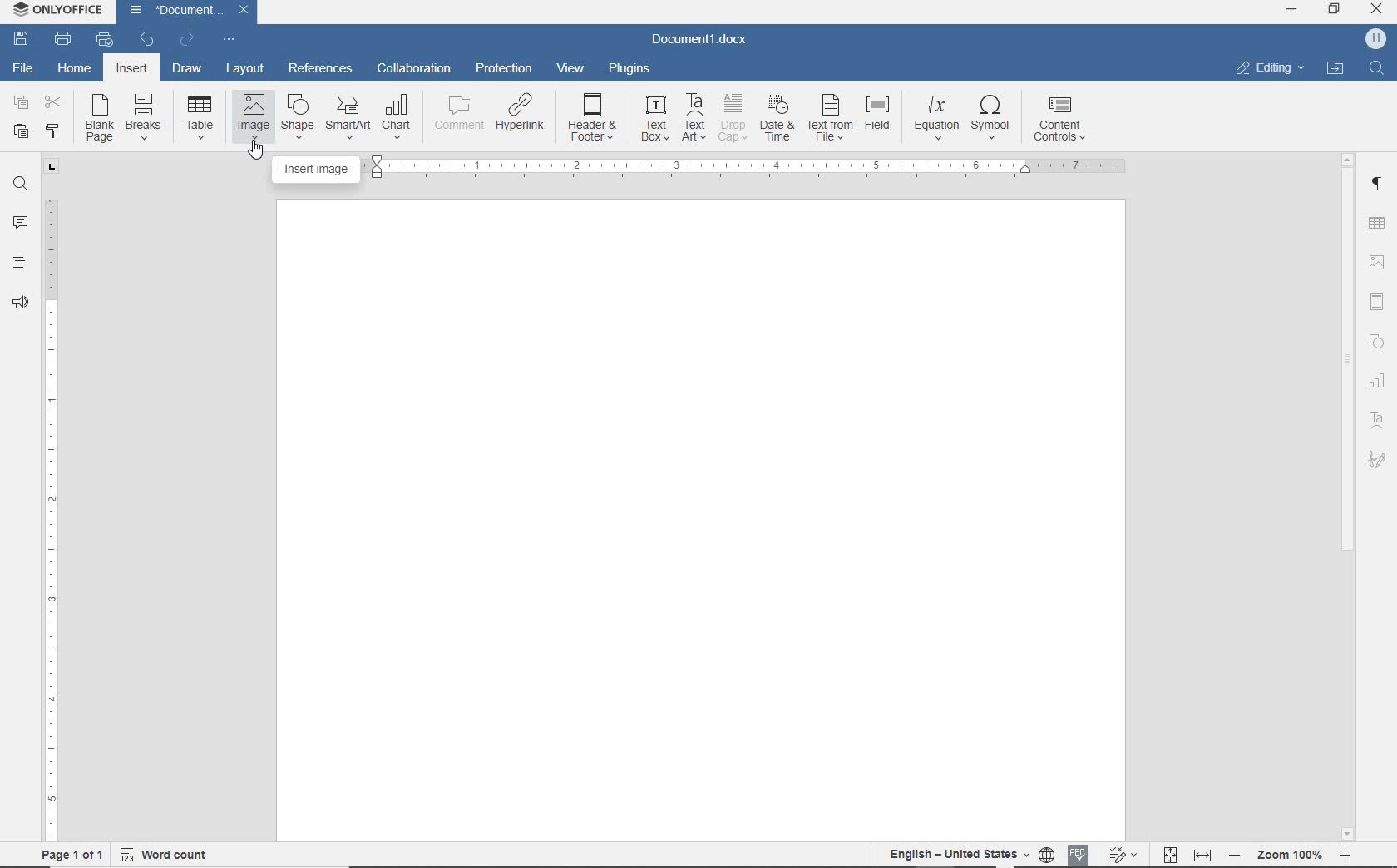  What do you see at coordinates (251, 155) in the screenshot?
I see `Pointer` at bounding box center [251, 155].